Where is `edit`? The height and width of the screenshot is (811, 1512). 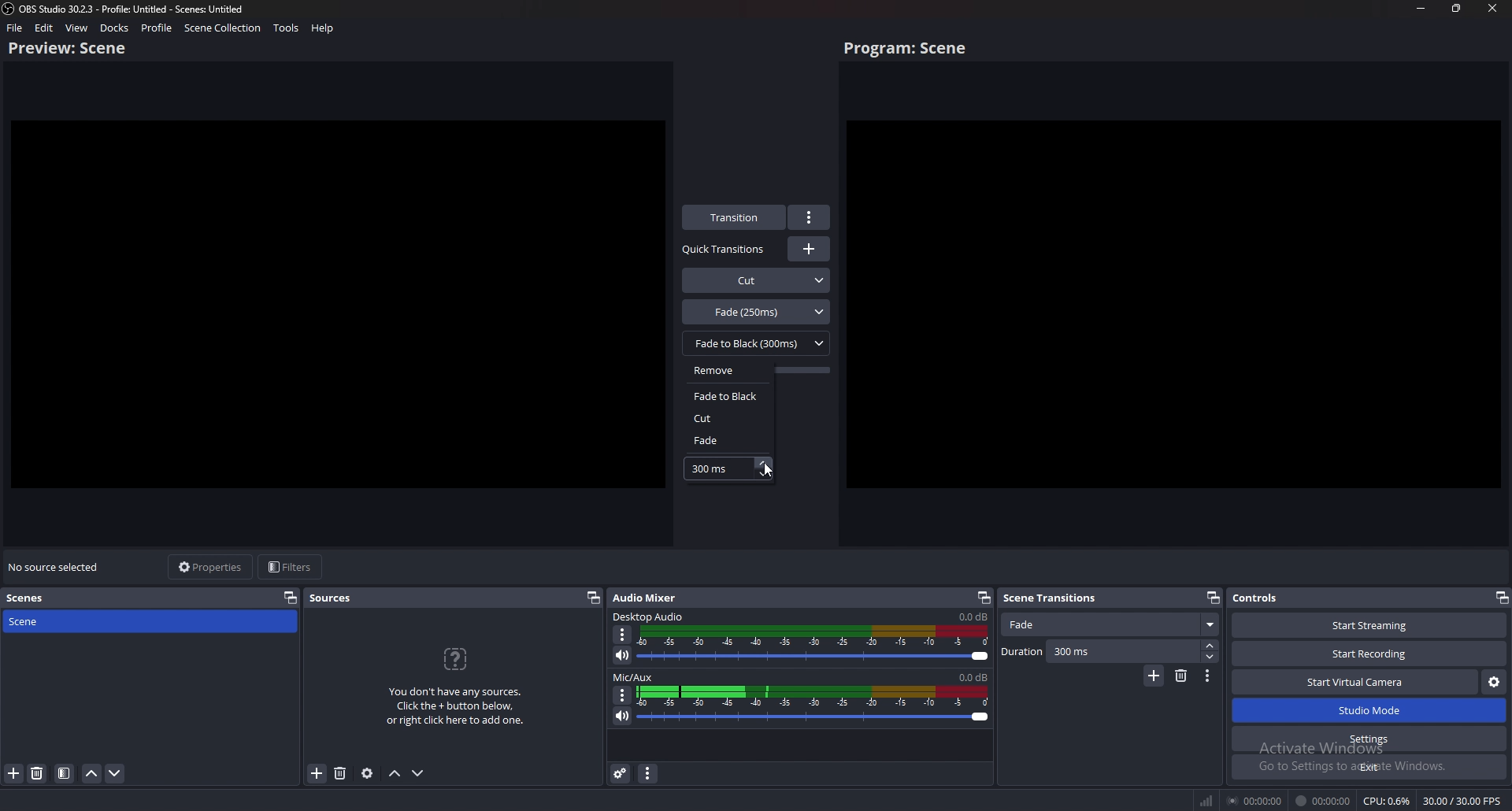
edit is located at coordinates (45, 28).